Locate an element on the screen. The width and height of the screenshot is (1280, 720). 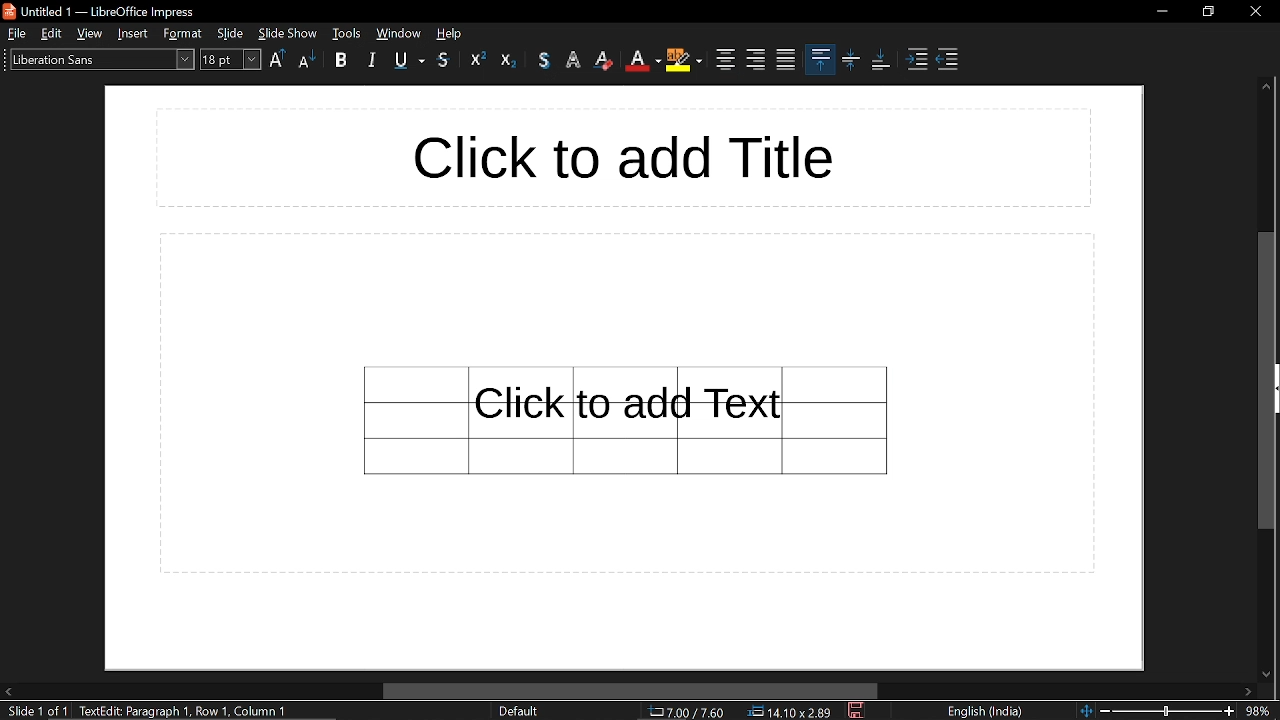
text style is located at coordinates (99, 59).